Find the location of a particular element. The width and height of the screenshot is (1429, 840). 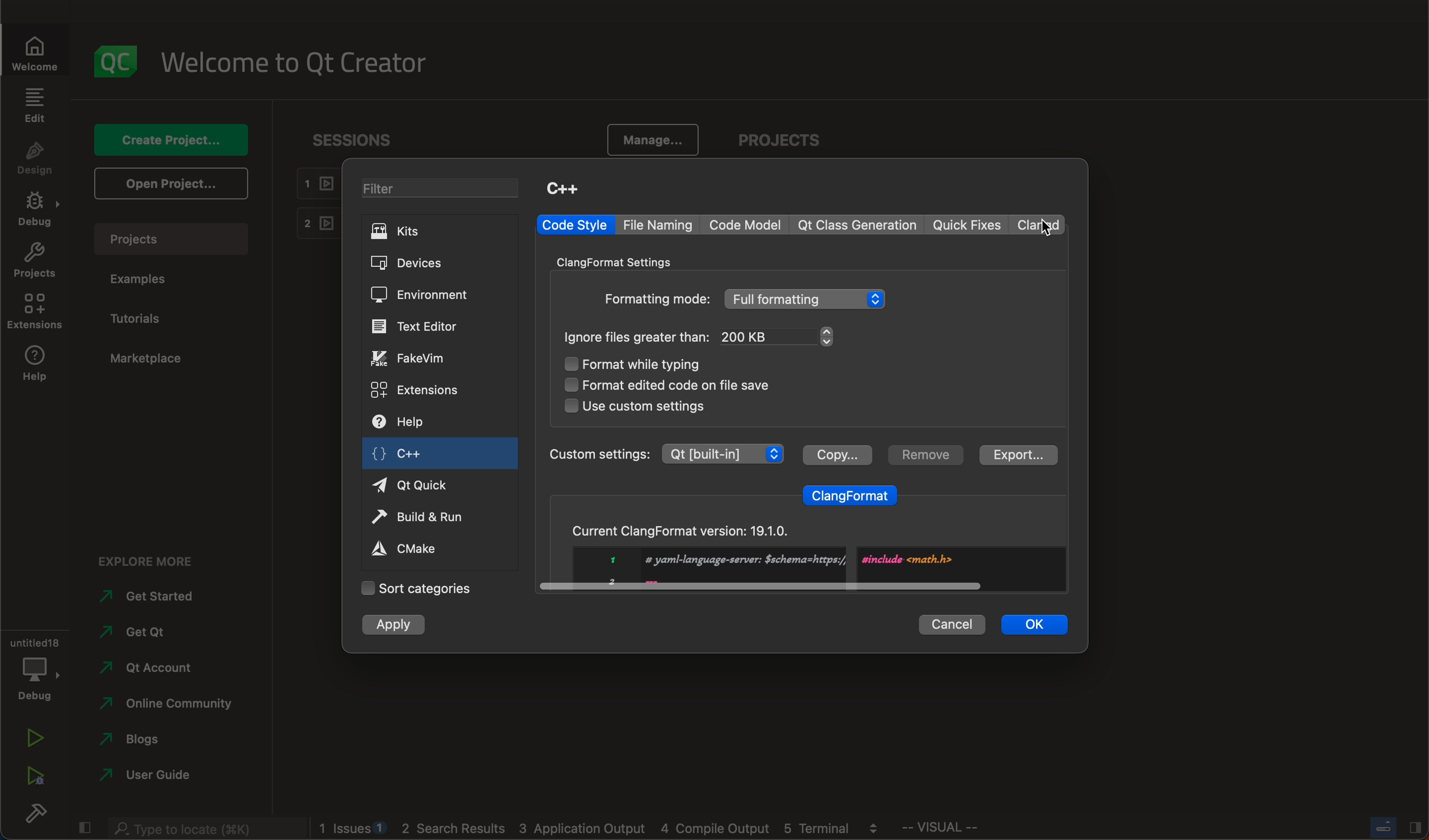

open projects is located at coordinates (175, 183).